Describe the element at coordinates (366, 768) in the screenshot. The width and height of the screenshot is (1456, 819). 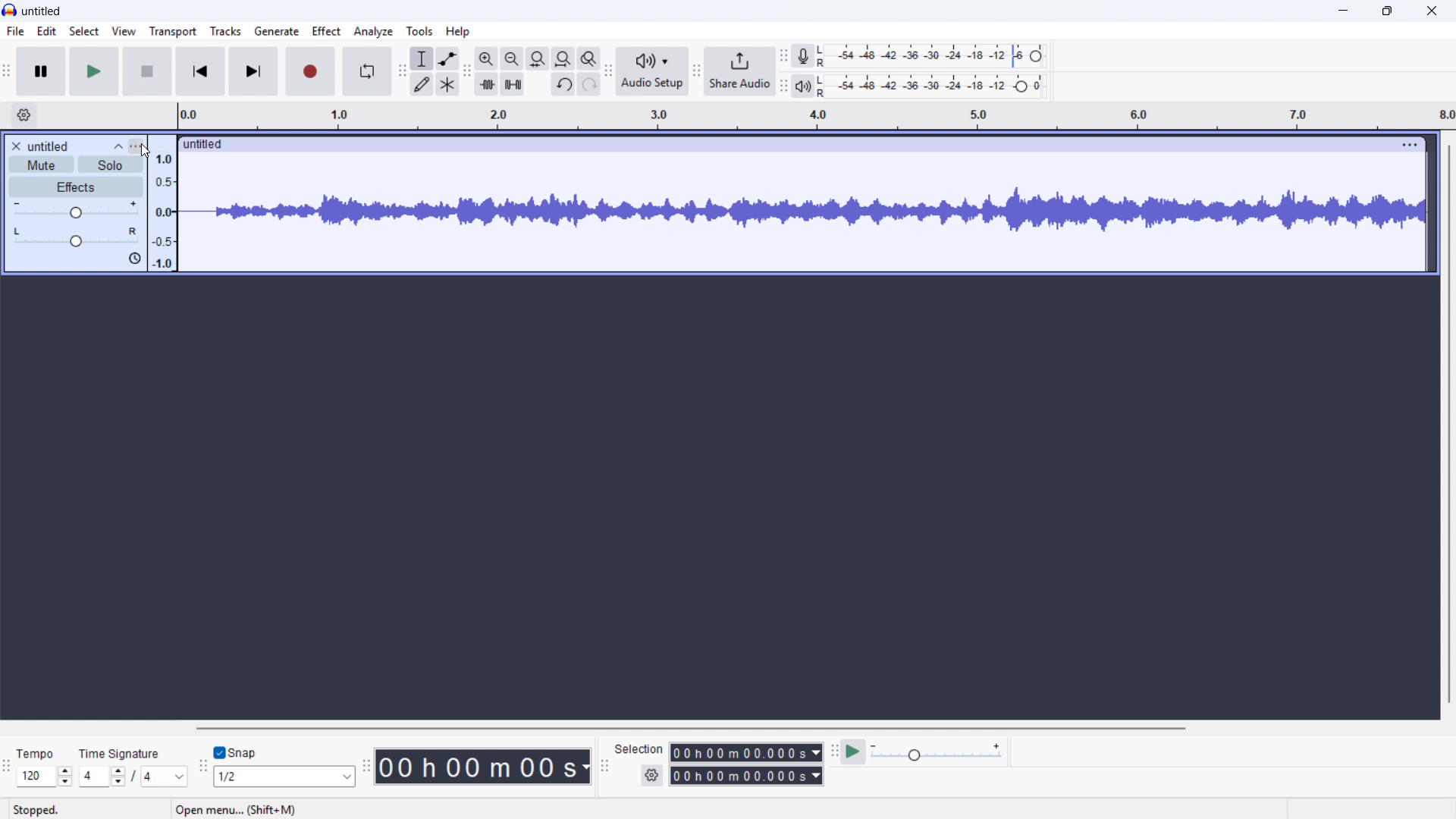
I see `Time toolbar ` at that location.